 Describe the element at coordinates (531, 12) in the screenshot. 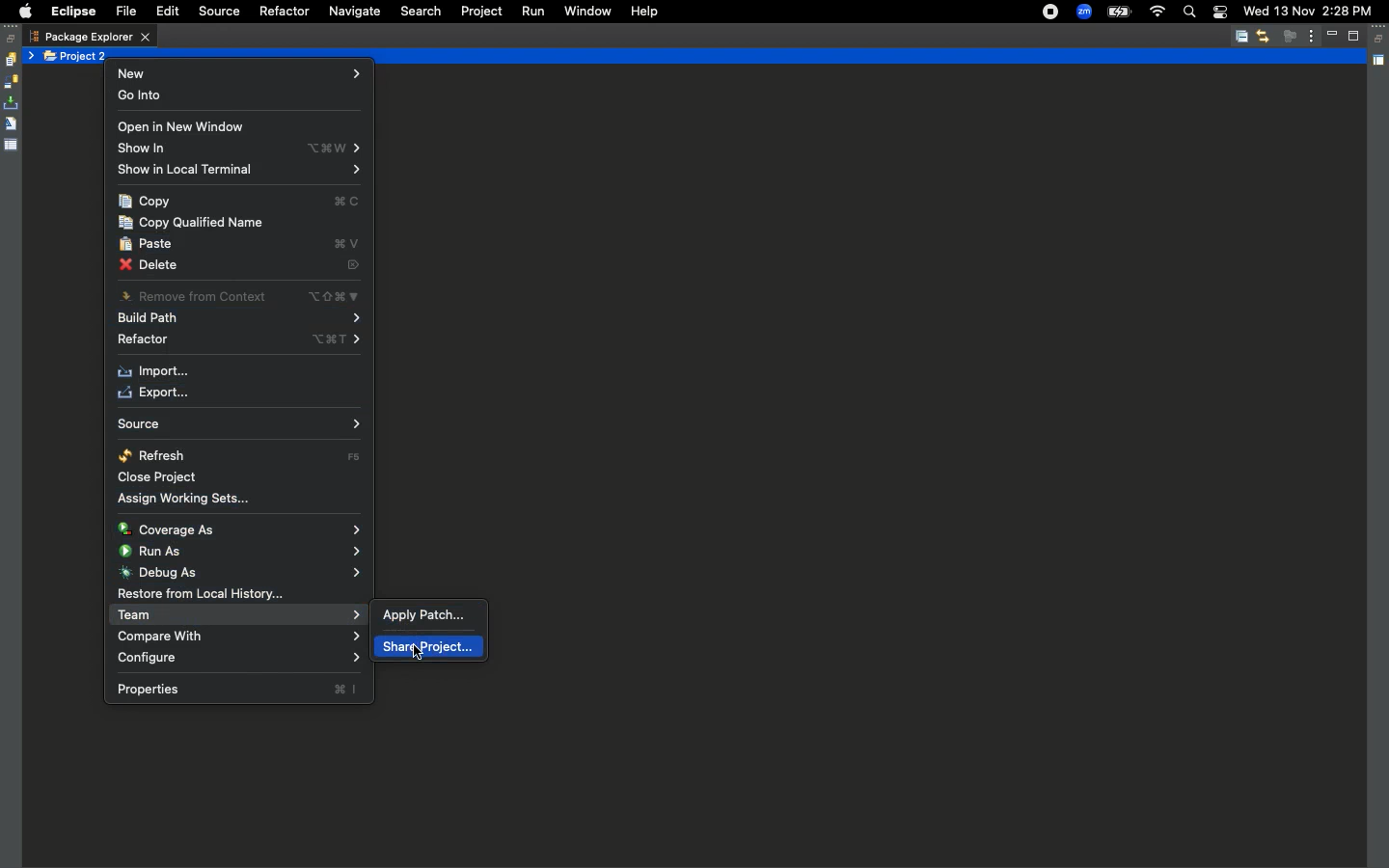

I see `Run` at that location.